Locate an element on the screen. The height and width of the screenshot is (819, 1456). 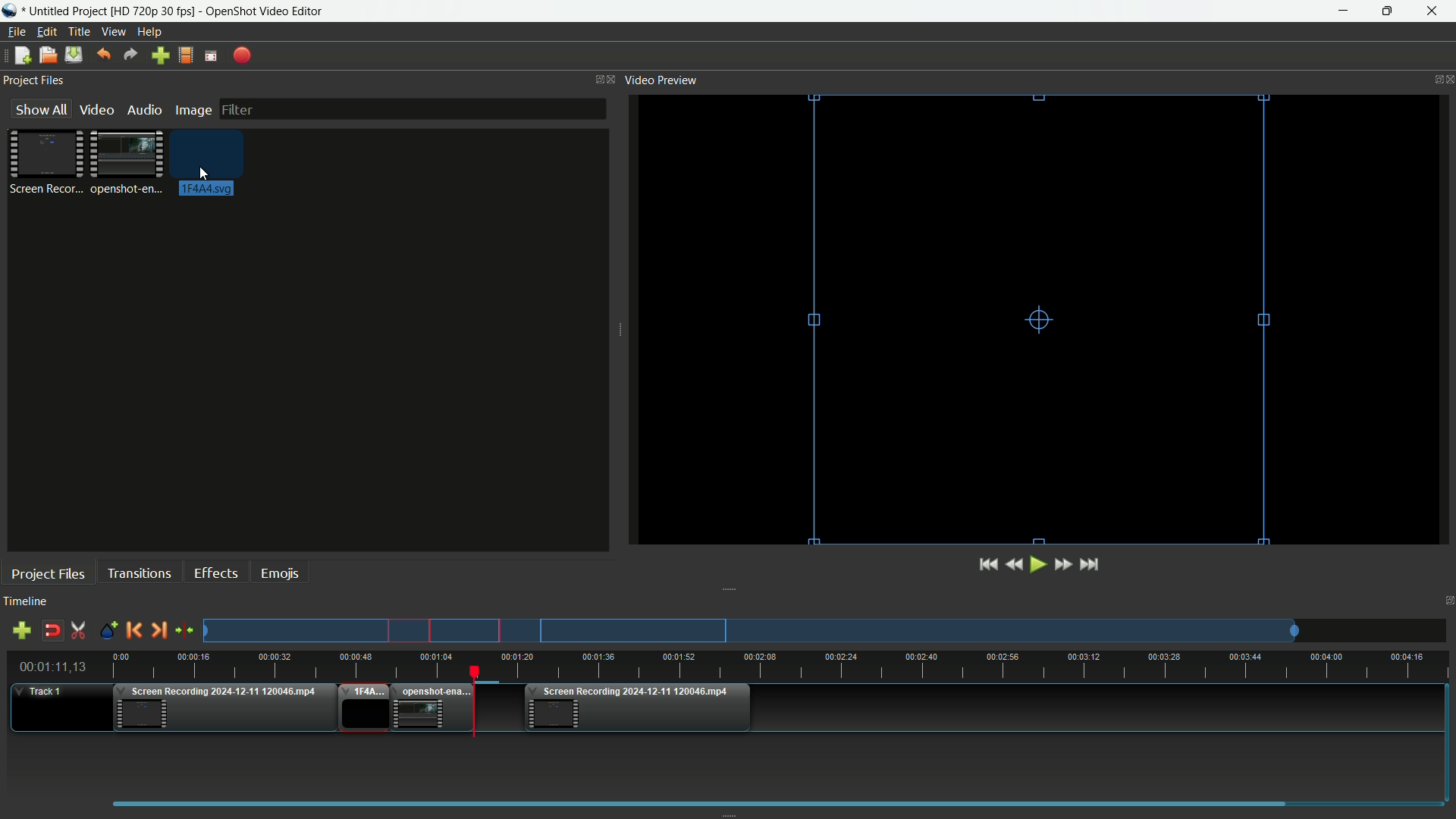
Emojis is located at coordinates (280, 572).